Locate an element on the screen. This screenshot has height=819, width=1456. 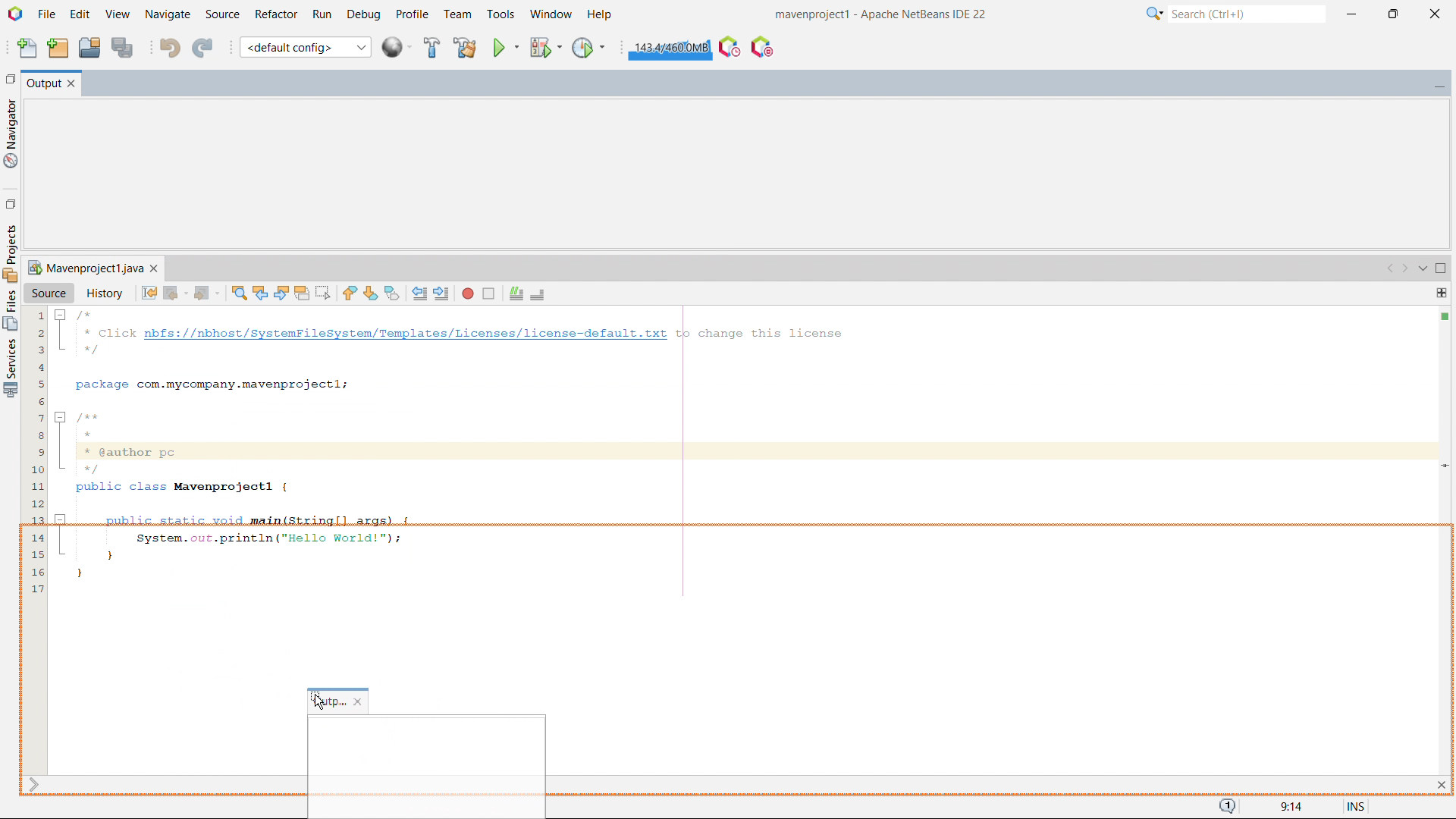
pointer cursor is located at coordinates (318, 702).